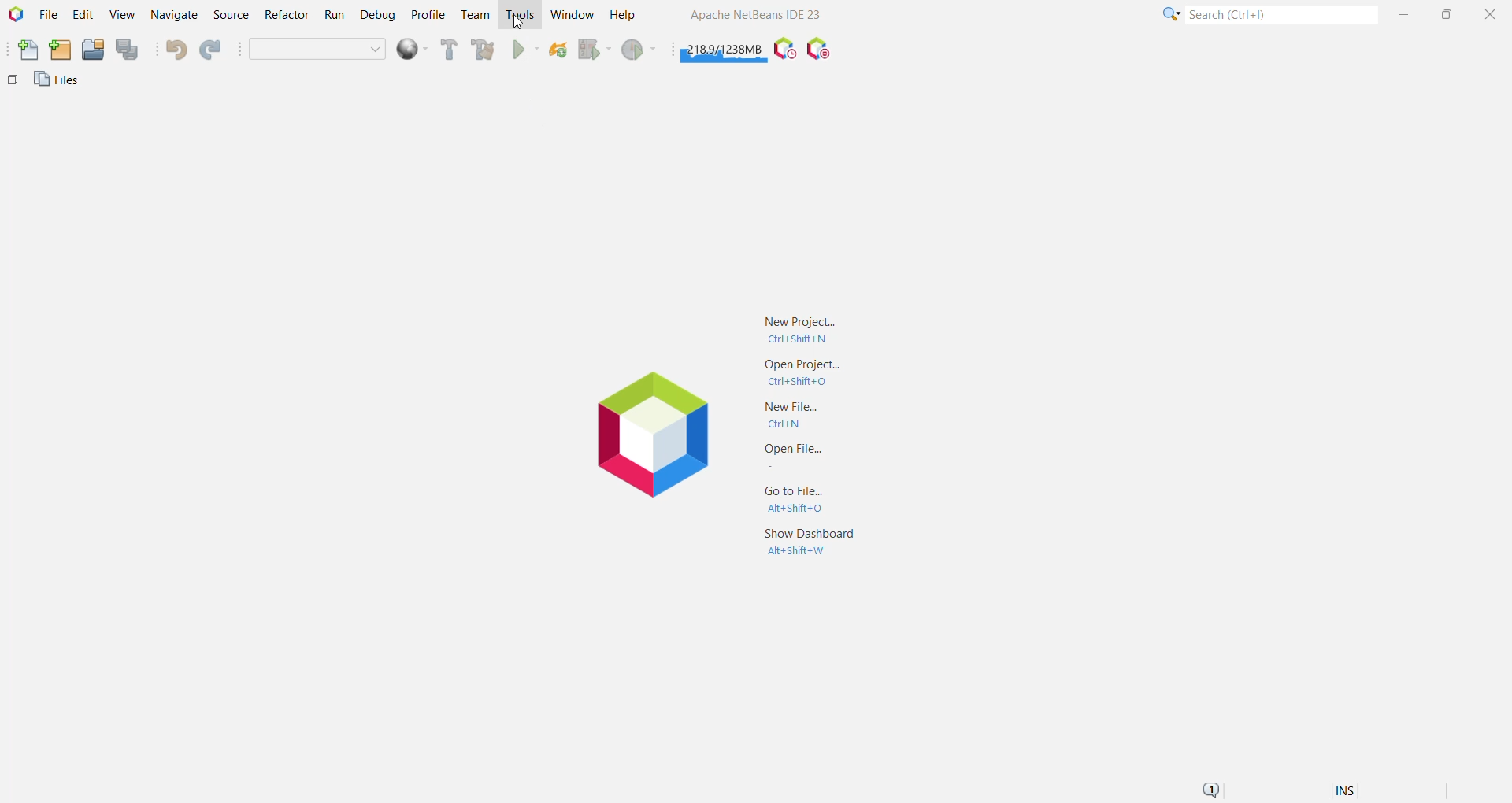 Image resolution: width=1512 pixels, height=803 pixels. Describe the element at coordinates (60, 50) in the screenshot. I see `New Project` at that location.